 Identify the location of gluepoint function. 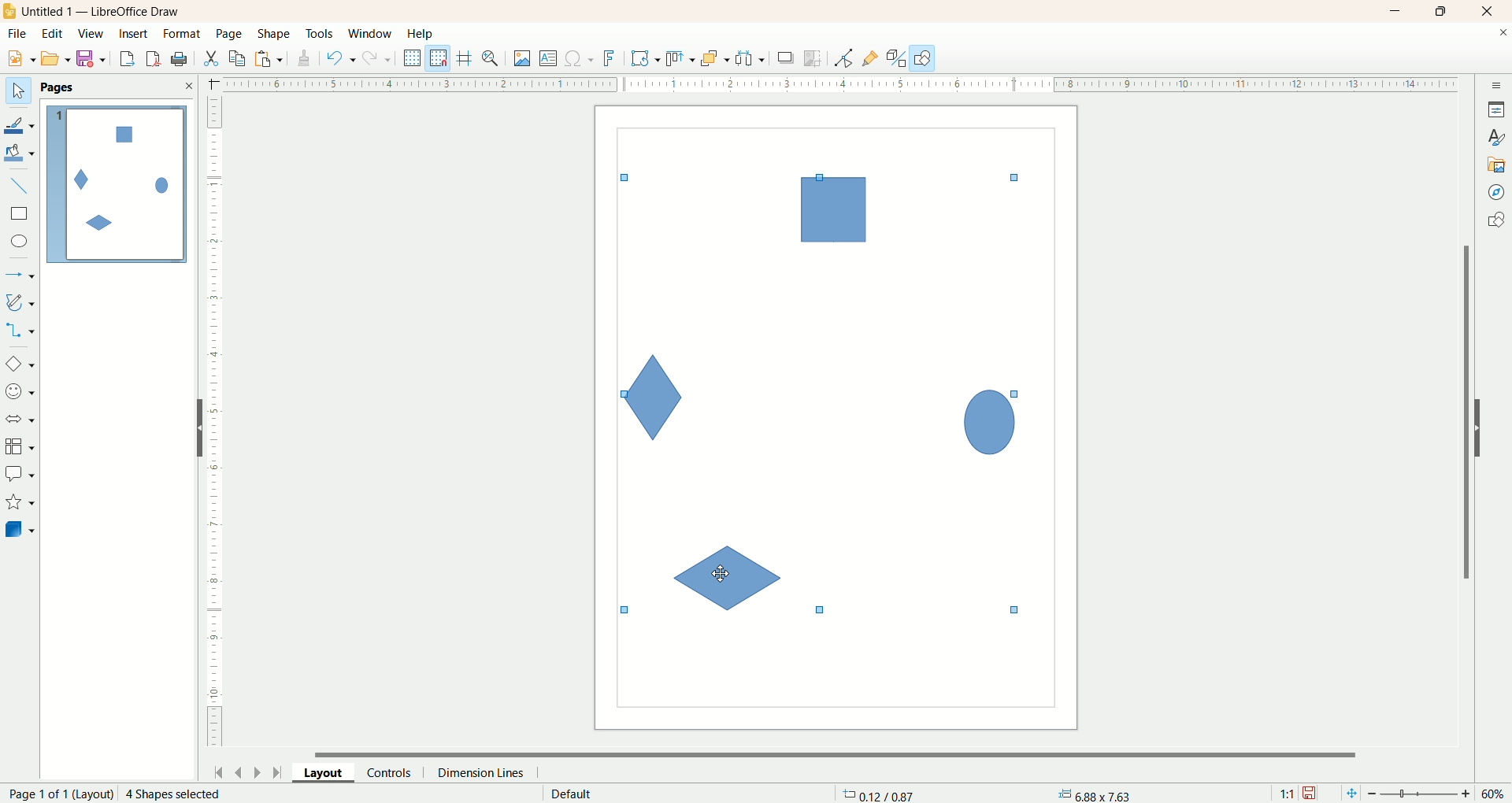
(870, 59).